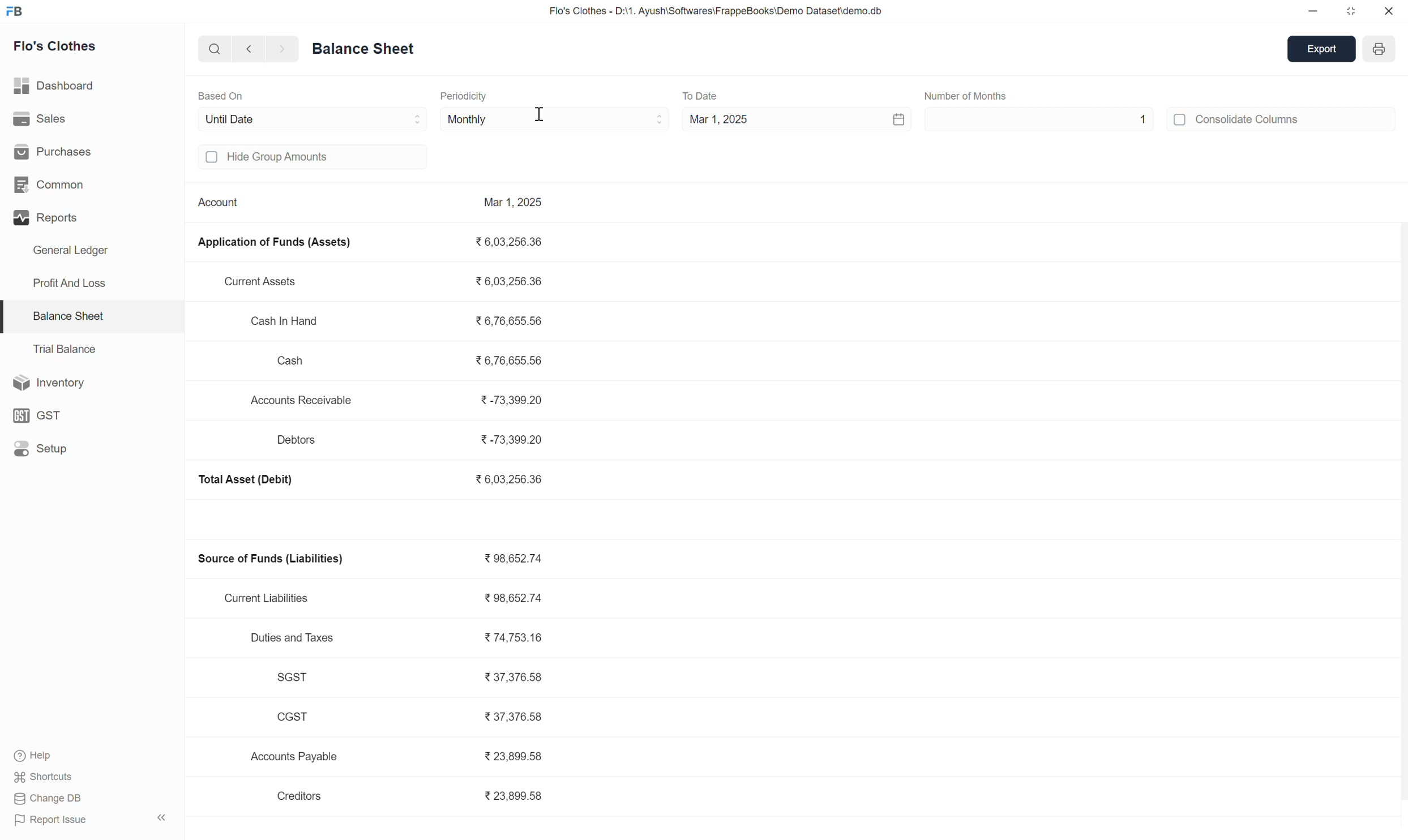 This screenshot has height=840, width=1408. What do you see at coordinates (391, 598) in the screenshot?
I see `Current Liabilities 398,652.74` at bounding box center [391, 598].